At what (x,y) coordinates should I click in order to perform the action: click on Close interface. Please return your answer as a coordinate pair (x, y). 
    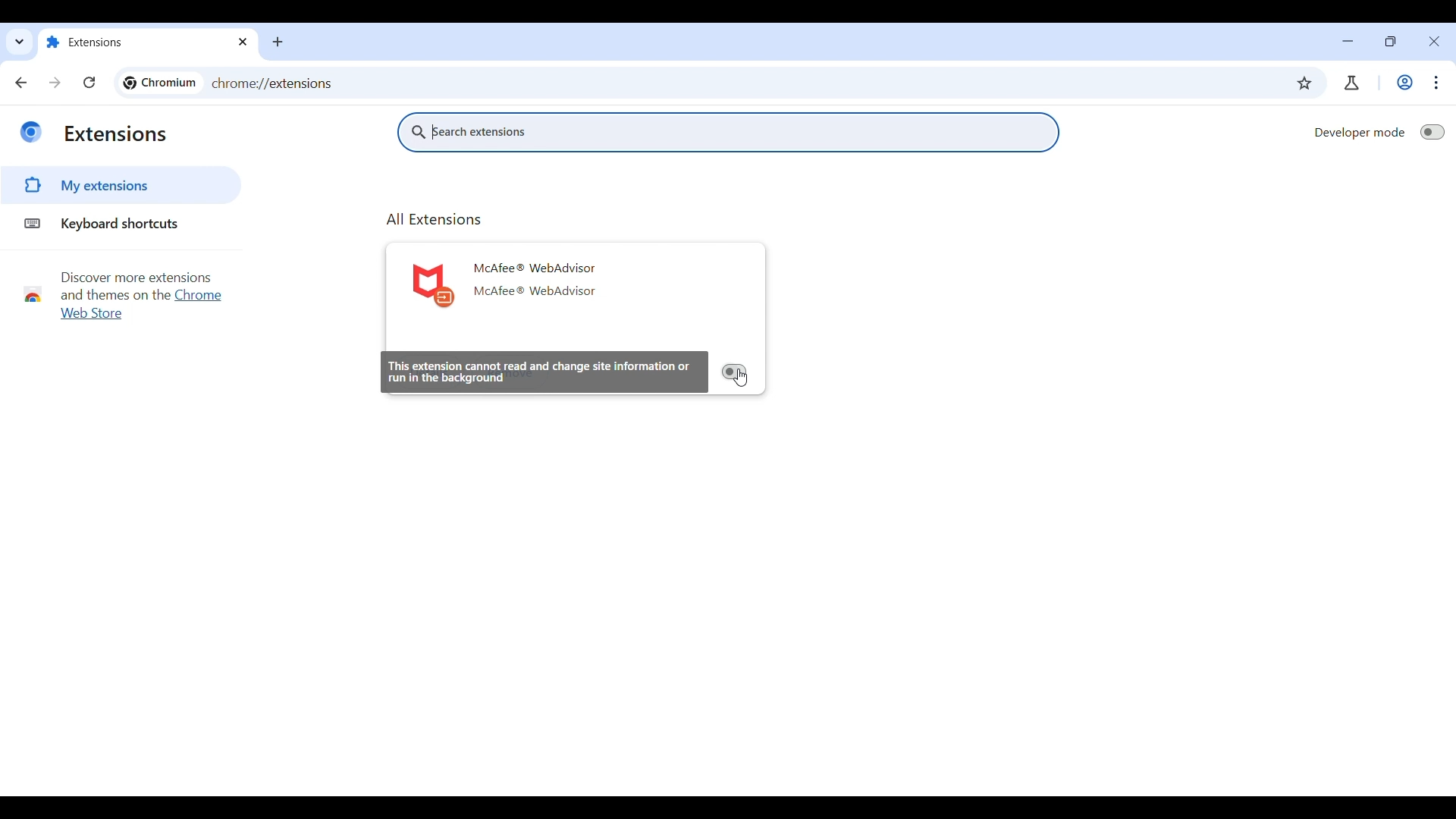
    Looking at the image, I should click on (1434, 41).